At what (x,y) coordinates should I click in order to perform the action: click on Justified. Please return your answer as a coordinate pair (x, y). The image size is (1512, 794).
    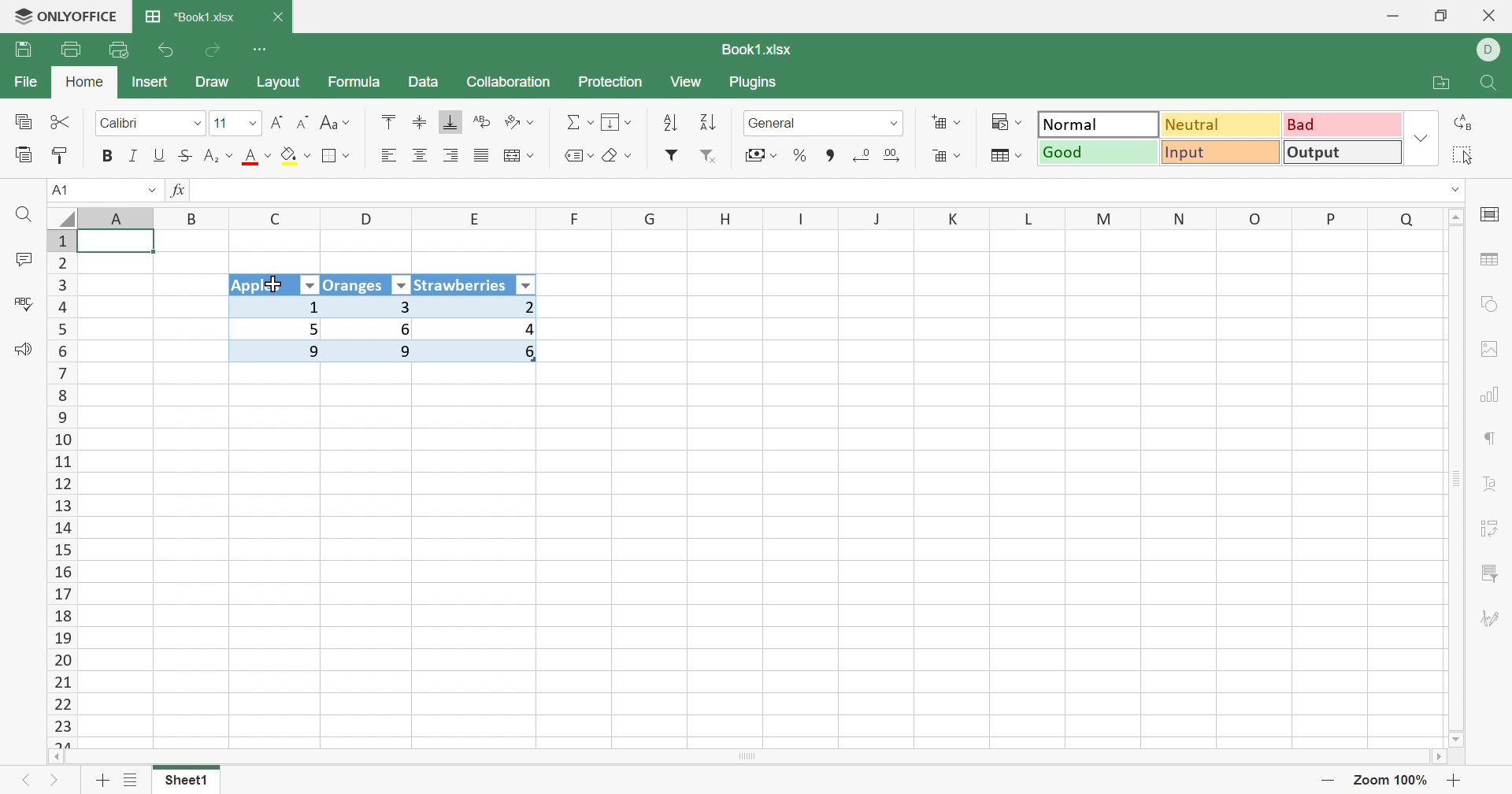
    Looking at the image, I should click on (480, 156).